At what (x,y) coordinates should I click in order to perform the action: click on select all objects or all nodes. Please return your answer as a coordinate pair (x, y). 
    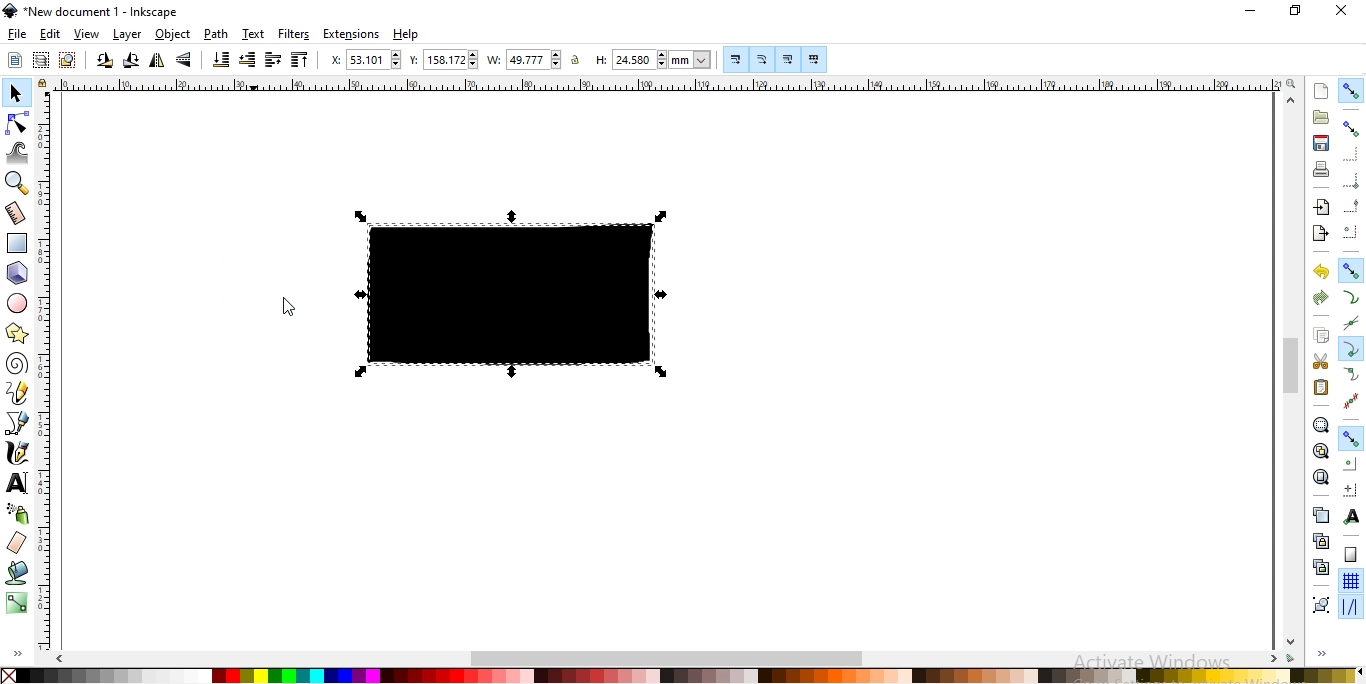
    Looking at the image, I should click on (14, 62).